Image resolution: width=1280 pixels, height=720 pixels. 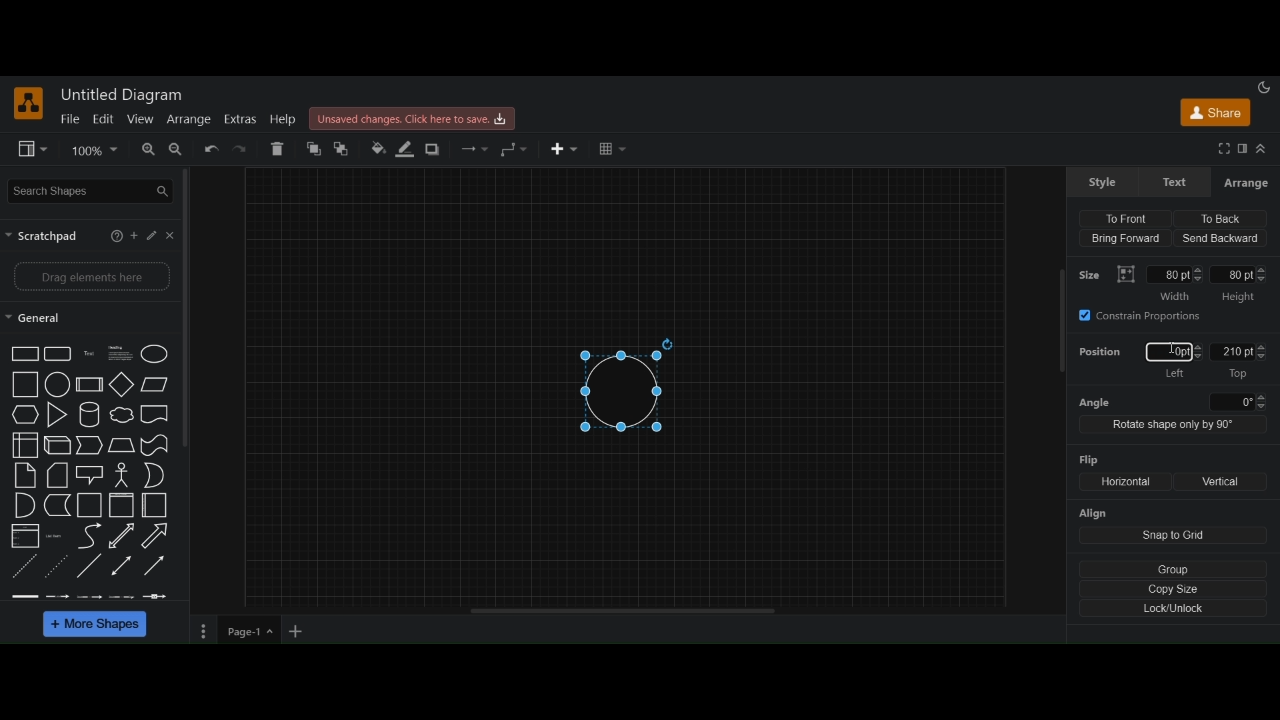 I want to click on extras, so click(x=240, y=120).